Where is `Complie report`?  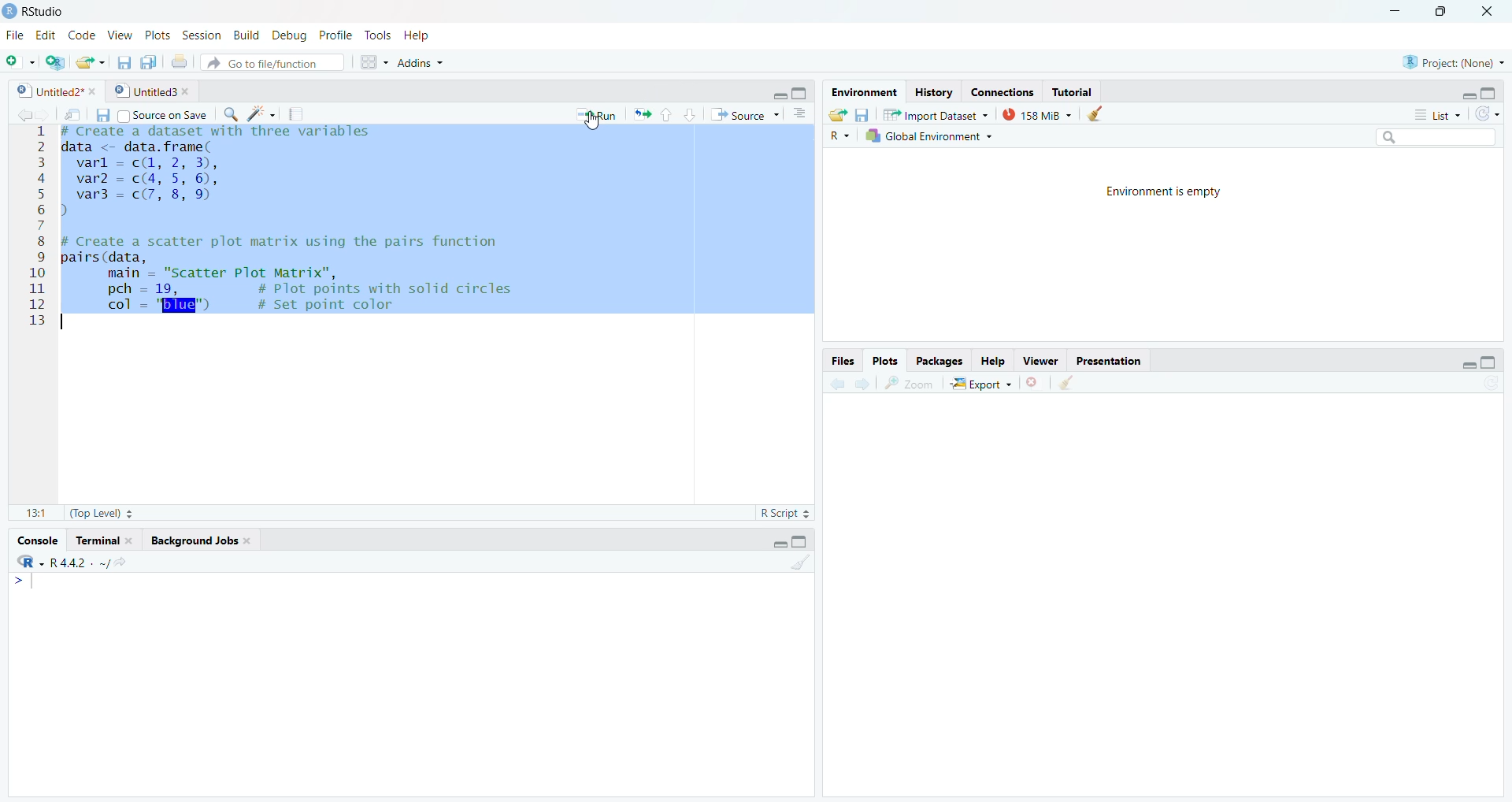 Complie report is located at coordinates (300, 114).